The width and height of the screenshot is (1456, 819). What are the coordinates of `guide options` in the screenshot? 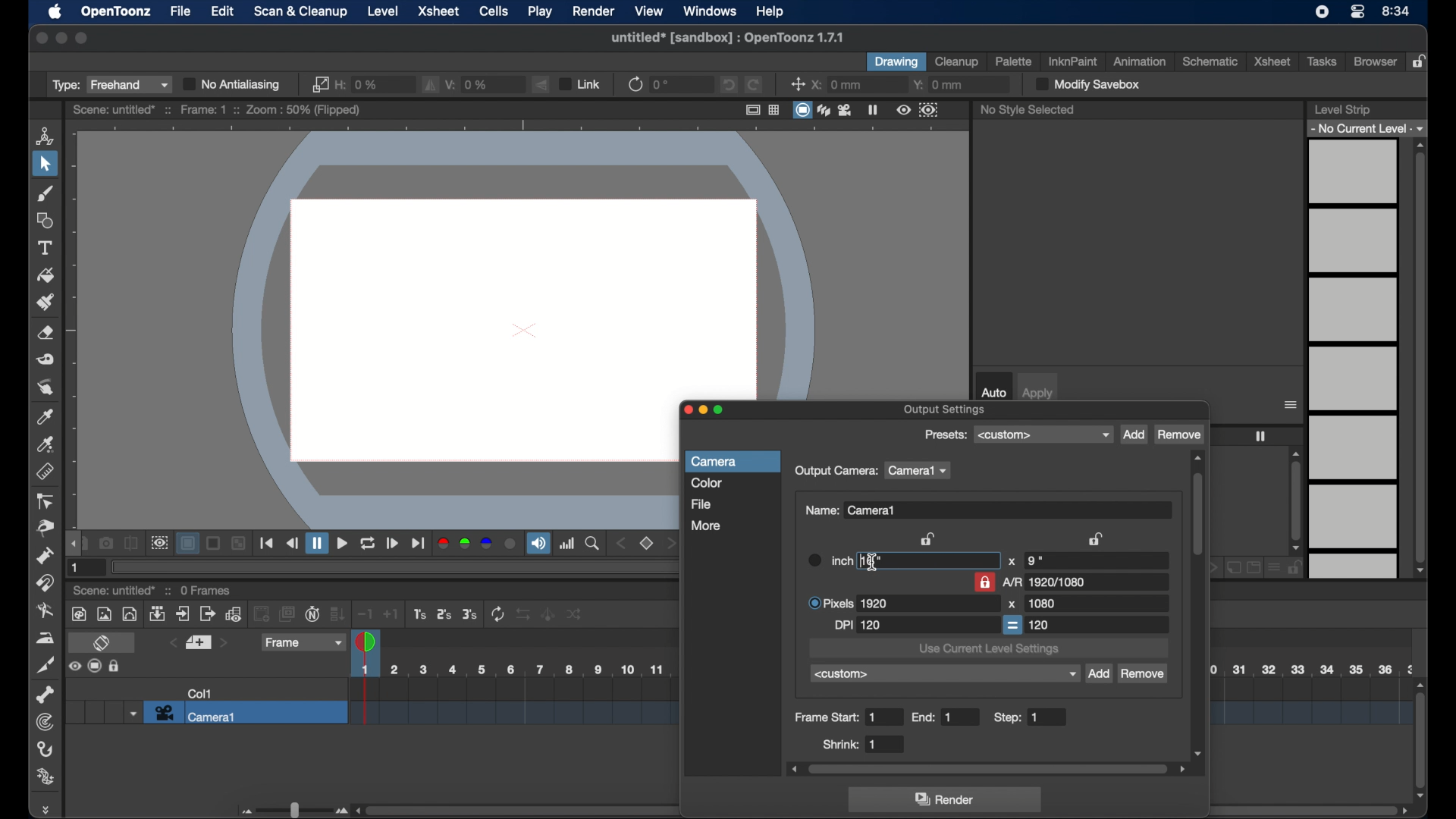 It's located at (764, 109).